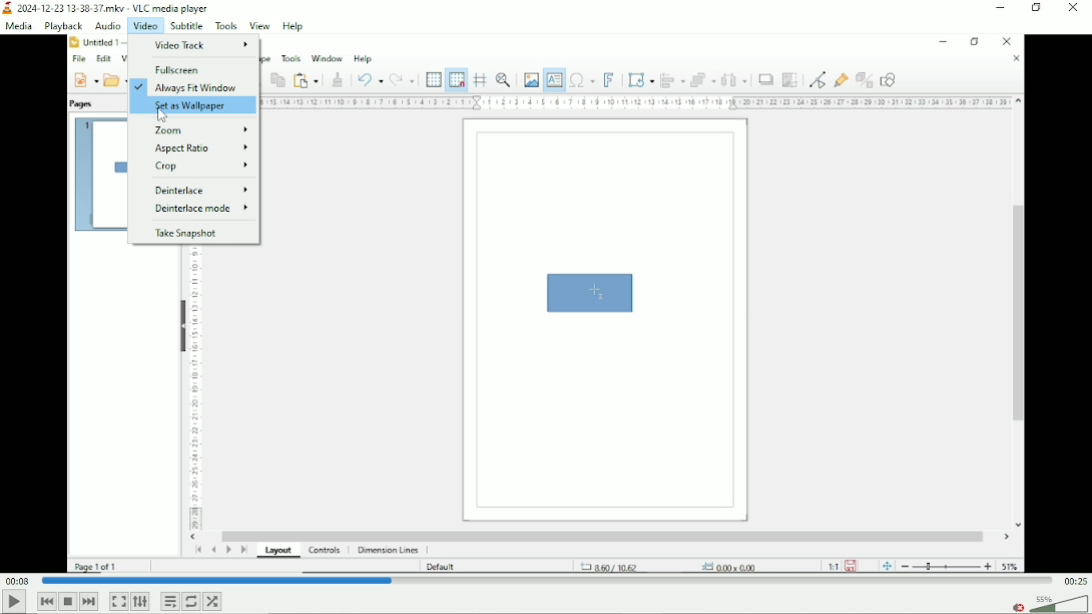  Describe the element at coordinates (1001, 8) in the screenshot. I see `Minimize` at that location.